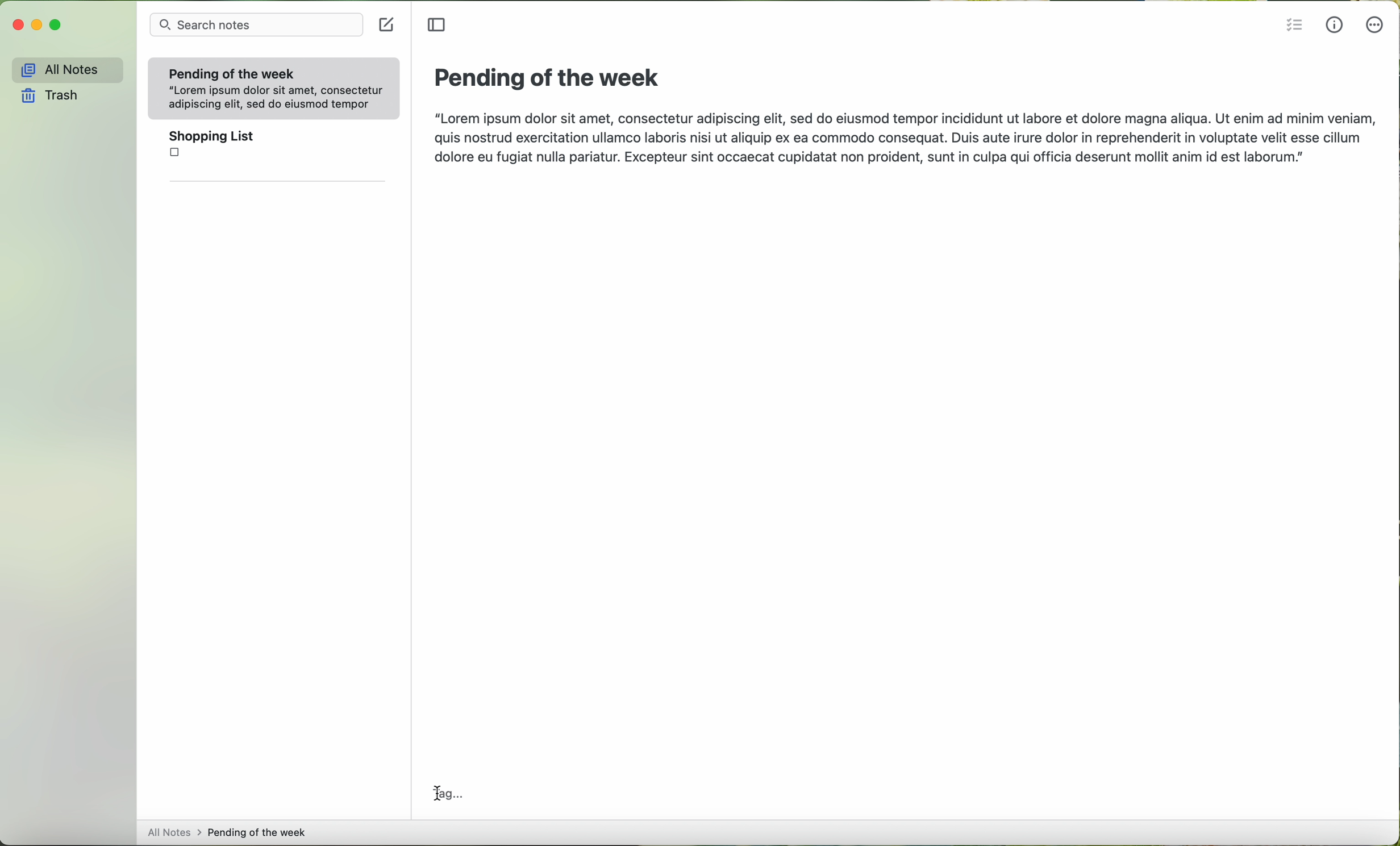 This screenshot has width=1400, height=846. I want to click on pending of the week, so click(546, 78).